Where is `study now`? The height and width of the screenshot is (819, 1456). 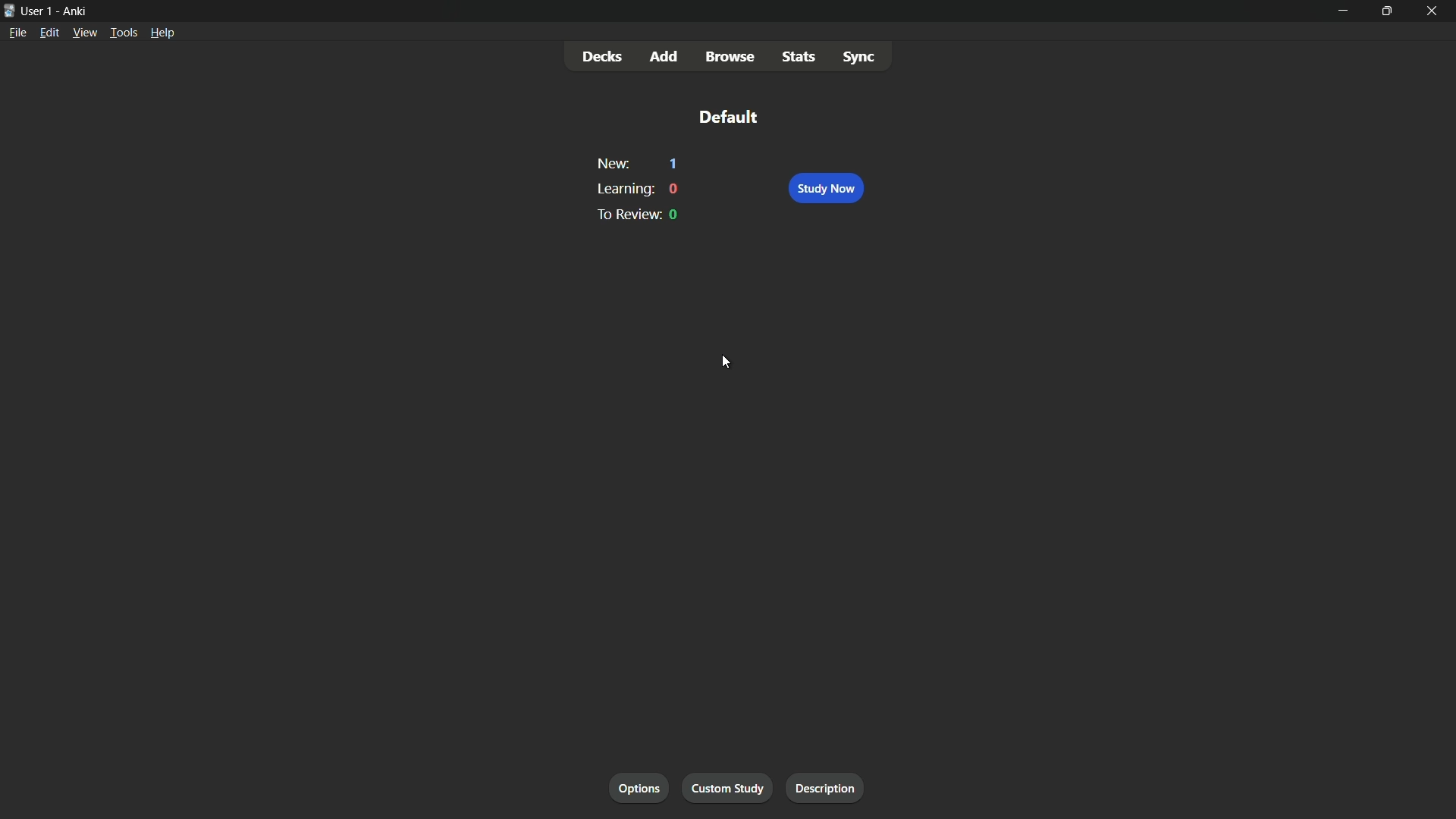 study now is located at coordinates (827, 186).